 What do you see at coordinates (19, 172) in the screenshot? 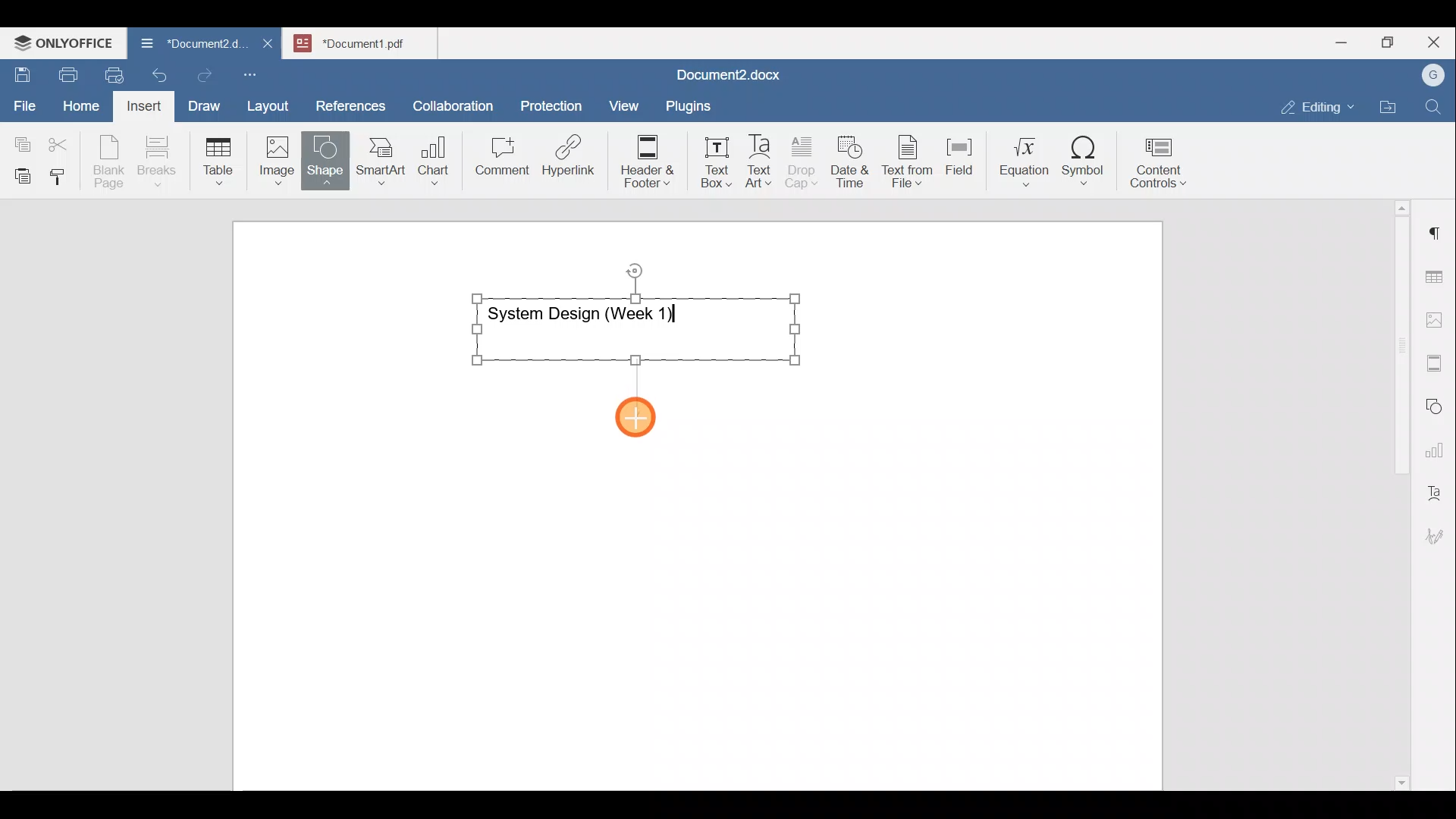
I see `Paste` at bounding box center [19, 172].